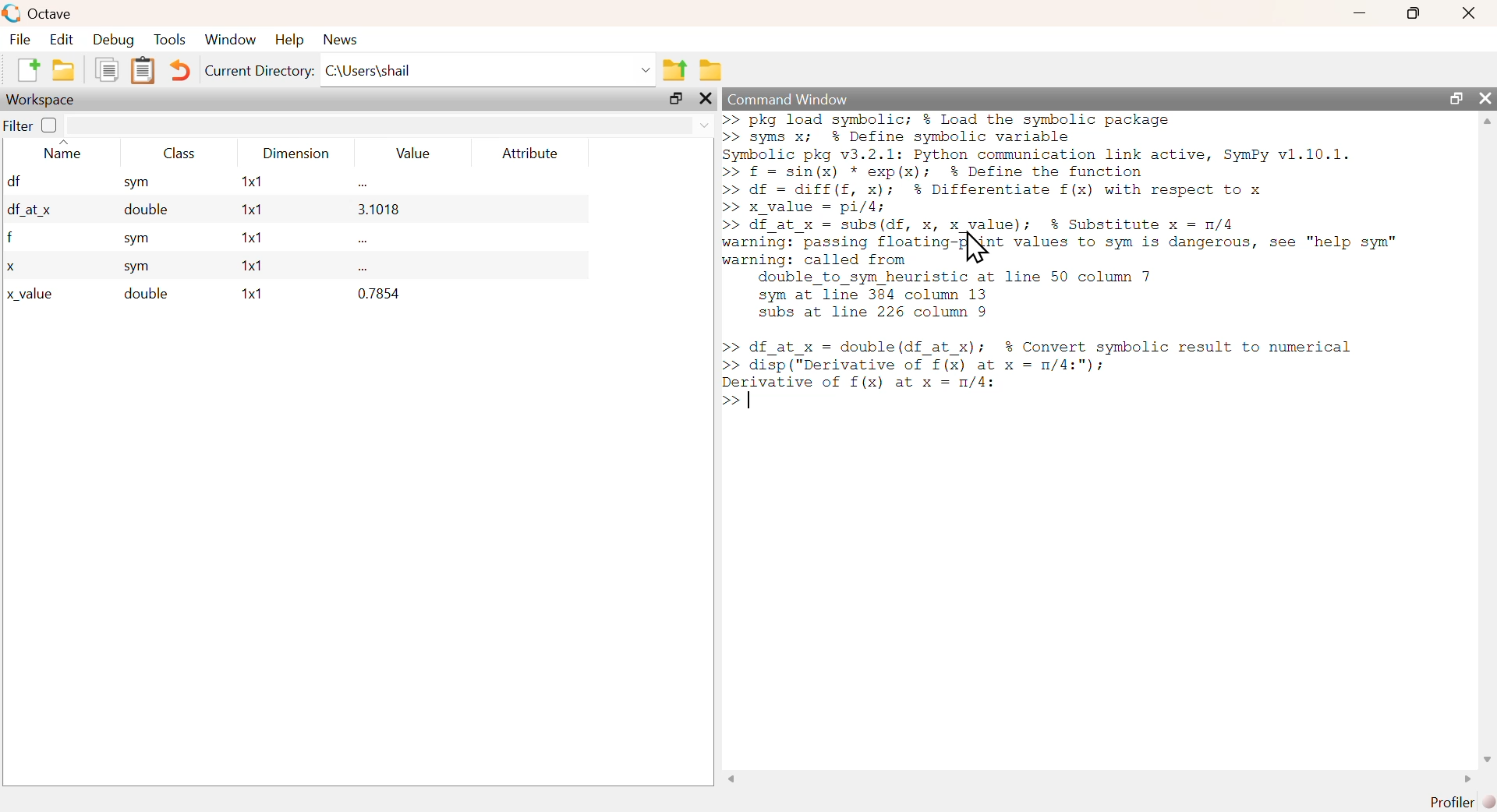 Image resolution: width=1497 pixels, height=812 pixels. What do you see at coordinates (1485, 97) in the screenshot?
I see `close` at bounding box center [1485, 97].